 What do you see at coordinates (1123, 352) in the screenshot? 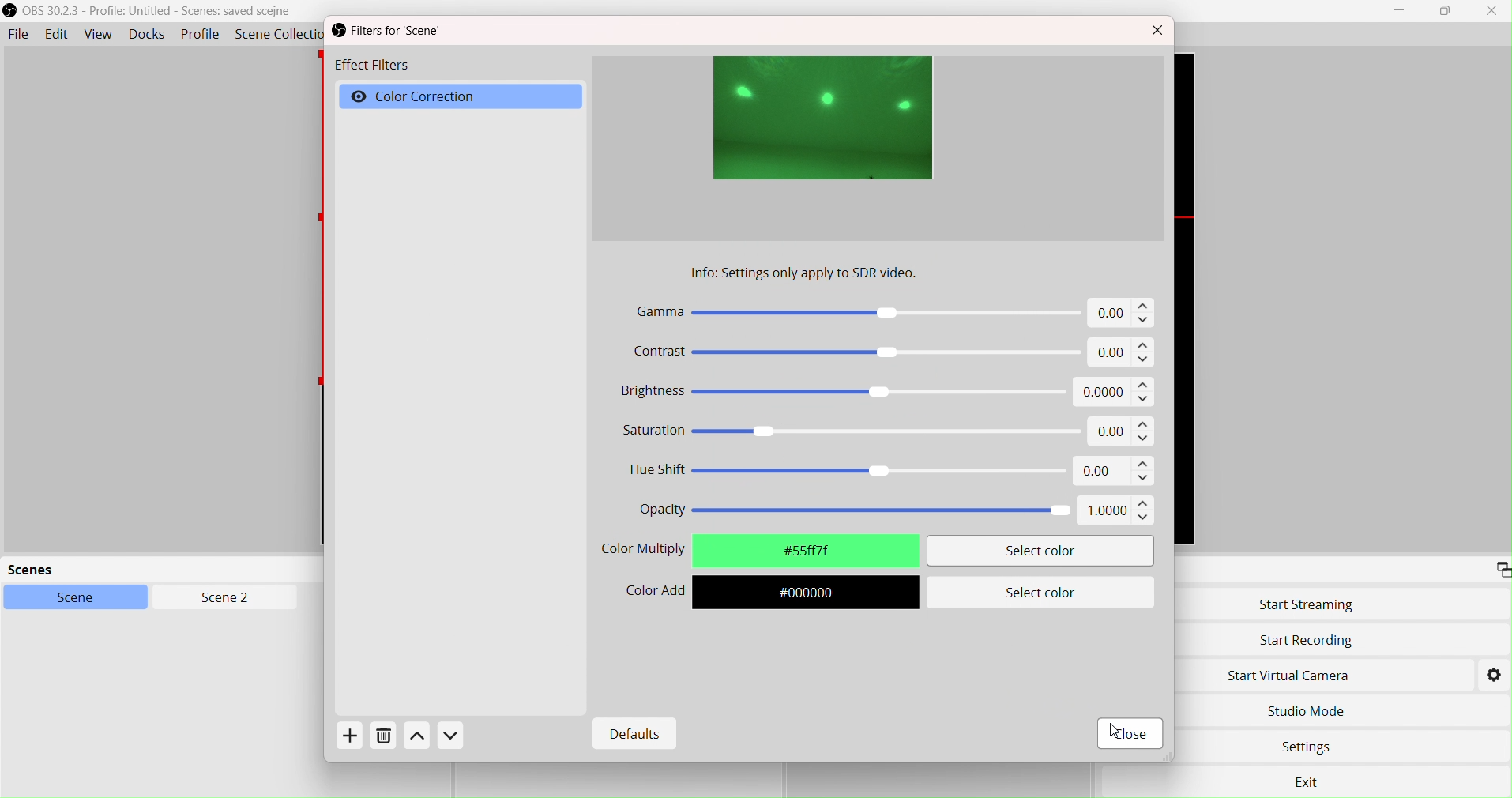
I see `0.00` at bounding box center [1123, 352].